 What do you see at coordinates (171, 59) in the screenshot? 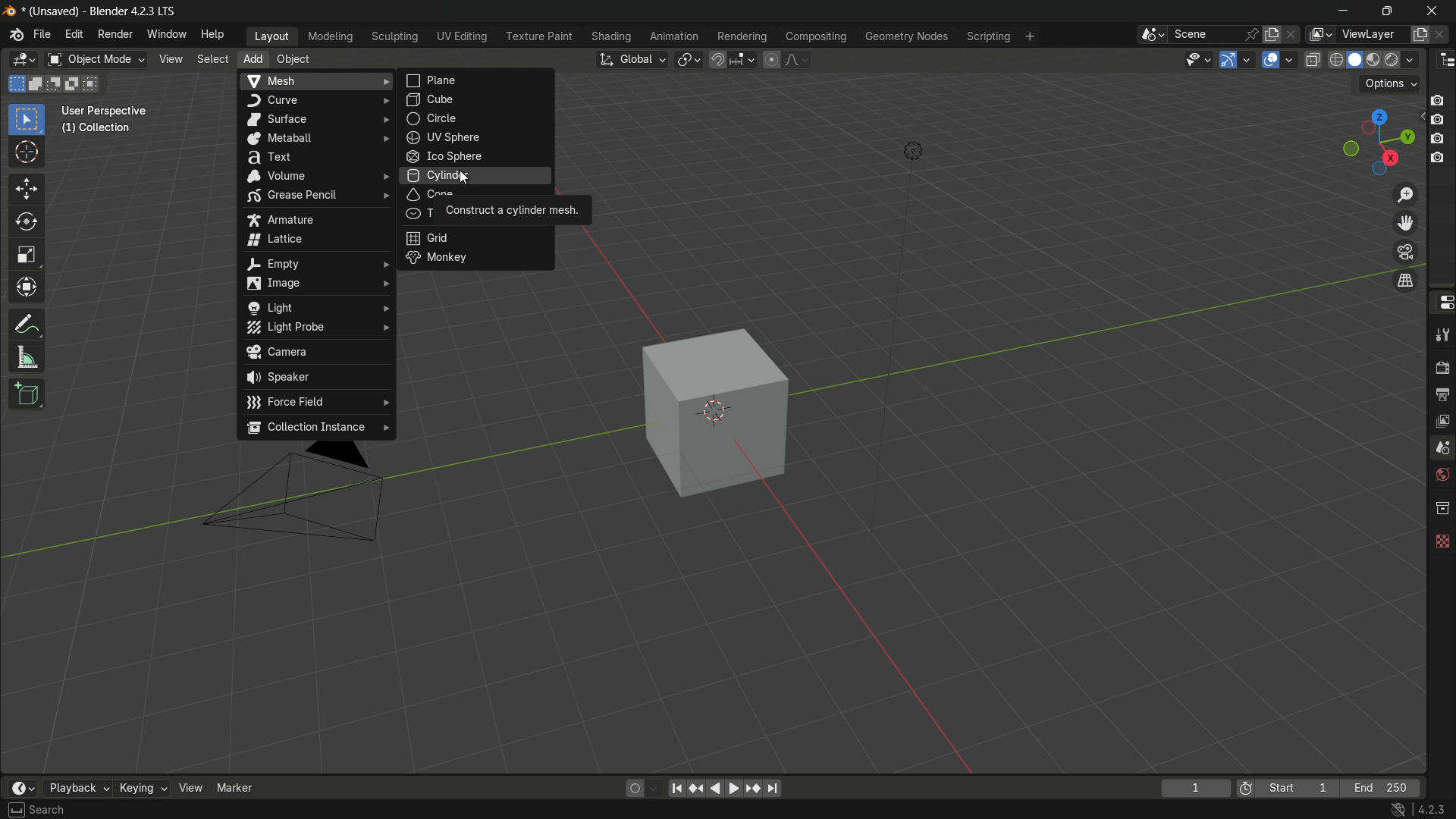
I see `view` at bounding box center [171, 59].